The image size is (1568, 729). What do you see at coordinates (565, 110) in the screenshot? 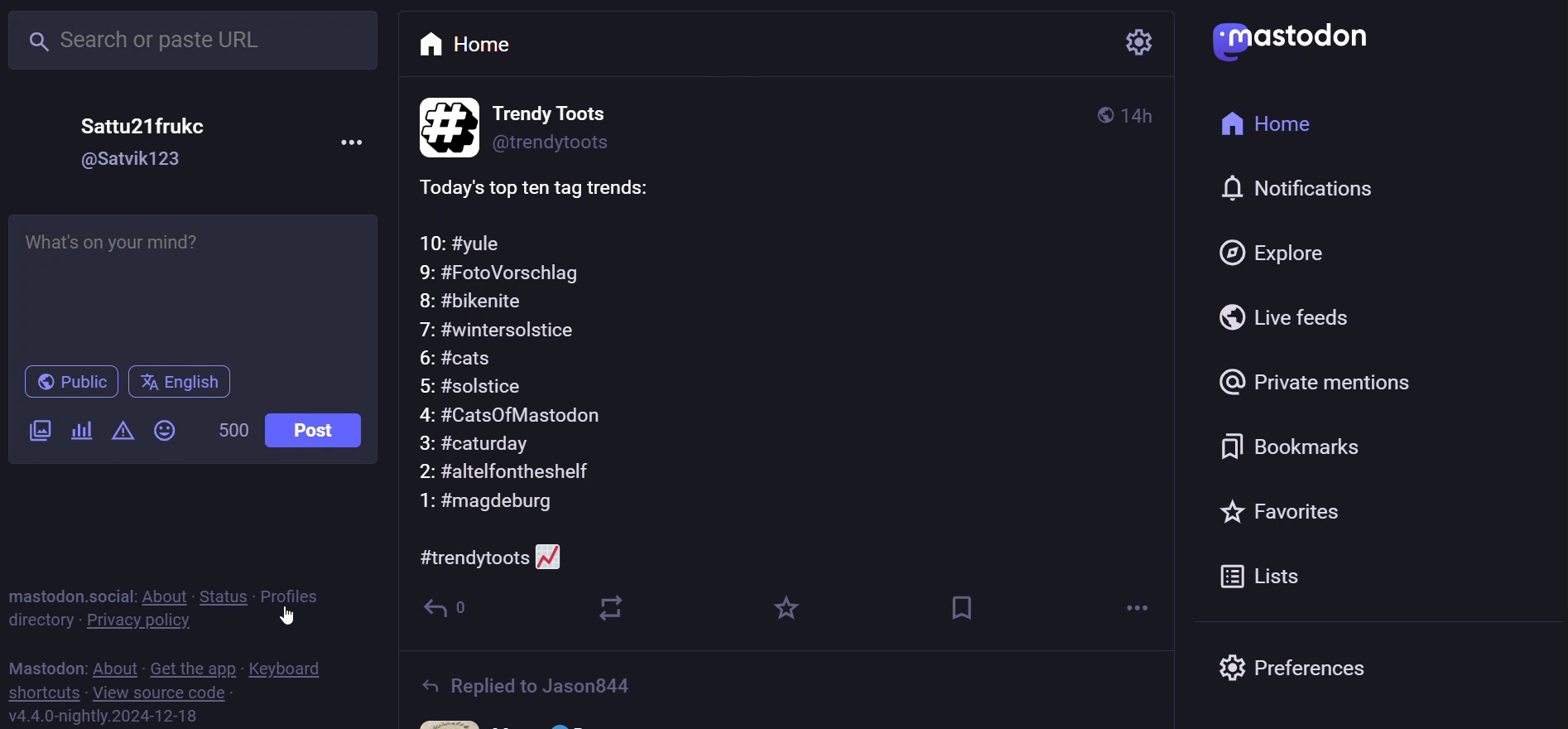
I see `Trendy Toots` at bounding box center [565, 110].